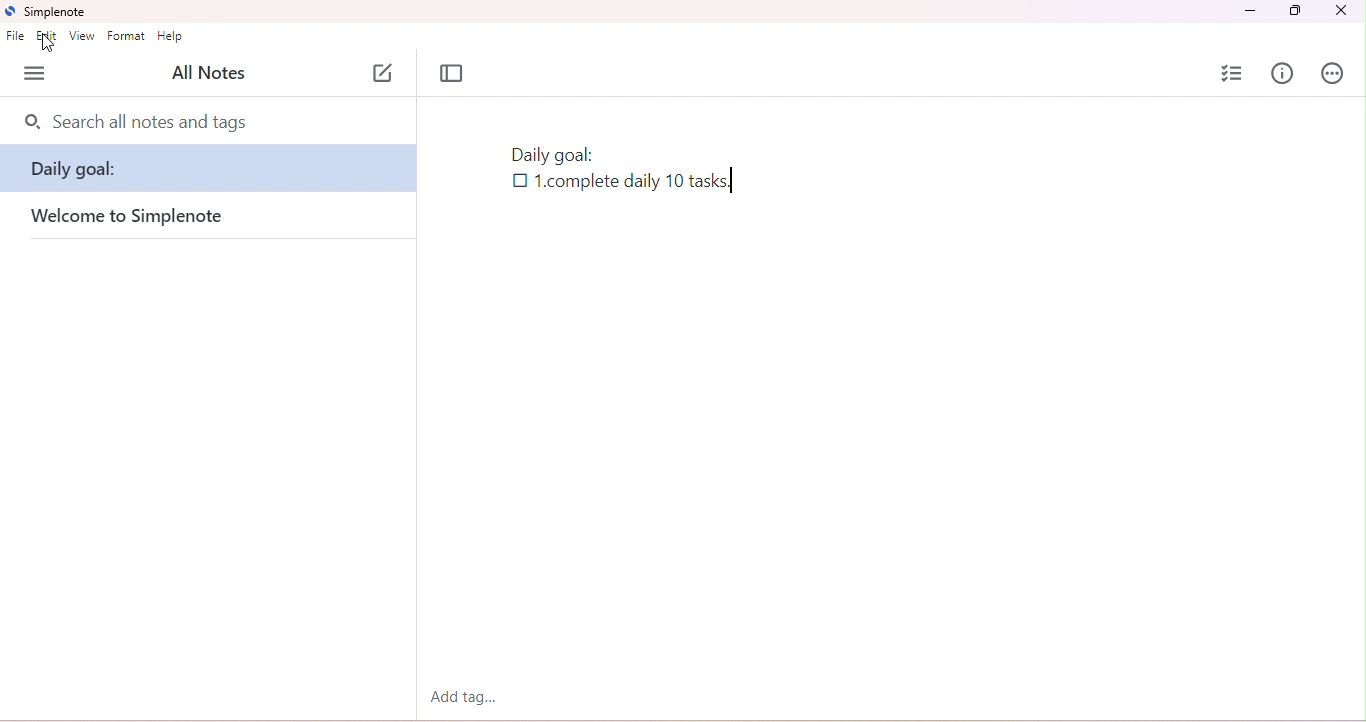 The image size is (1366, 722). I want to click on welcome to simple note, so click(177, 217).